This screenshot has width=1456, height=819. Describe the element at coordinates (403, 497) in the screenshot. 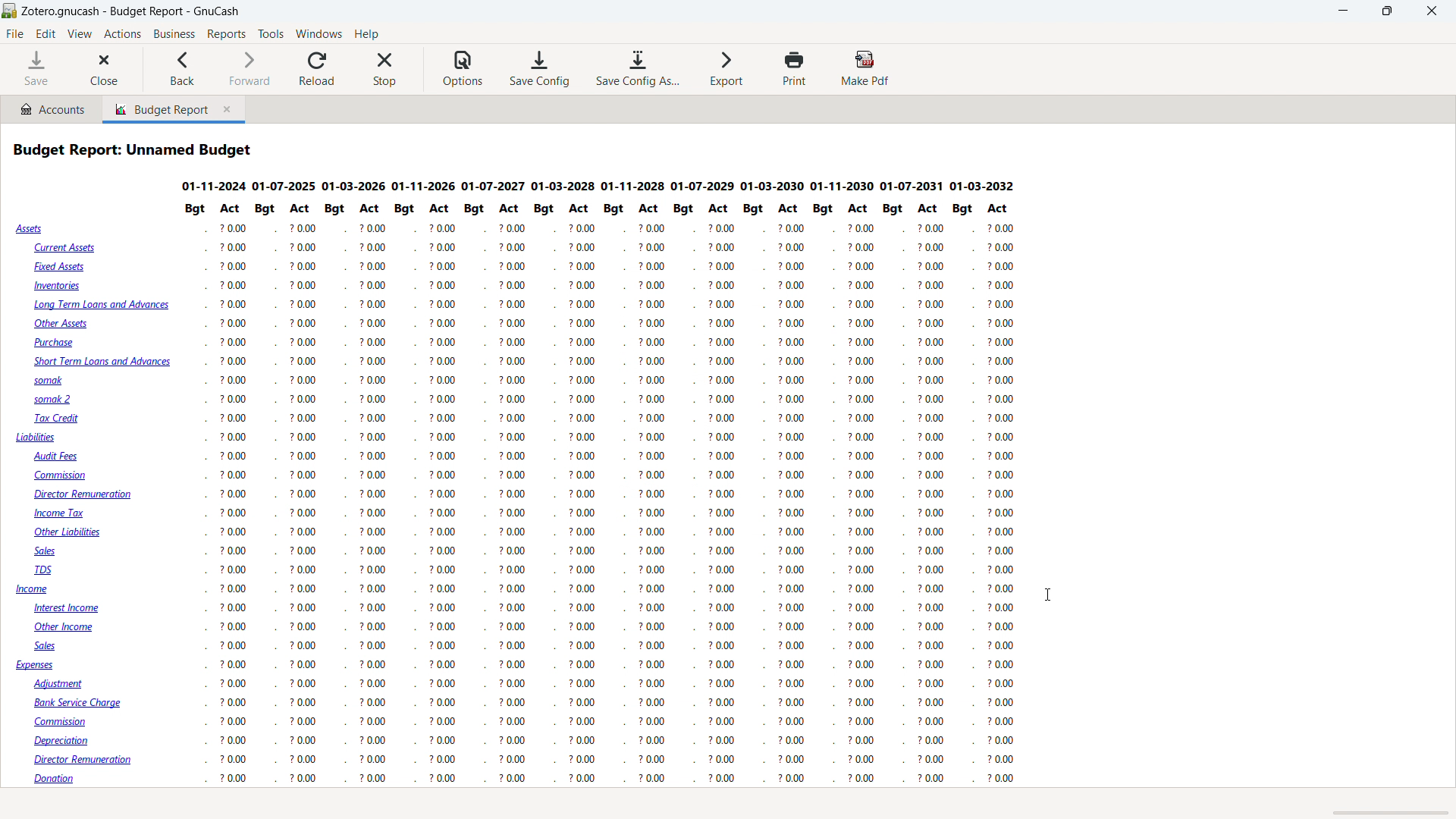

I see `columns` at that location.